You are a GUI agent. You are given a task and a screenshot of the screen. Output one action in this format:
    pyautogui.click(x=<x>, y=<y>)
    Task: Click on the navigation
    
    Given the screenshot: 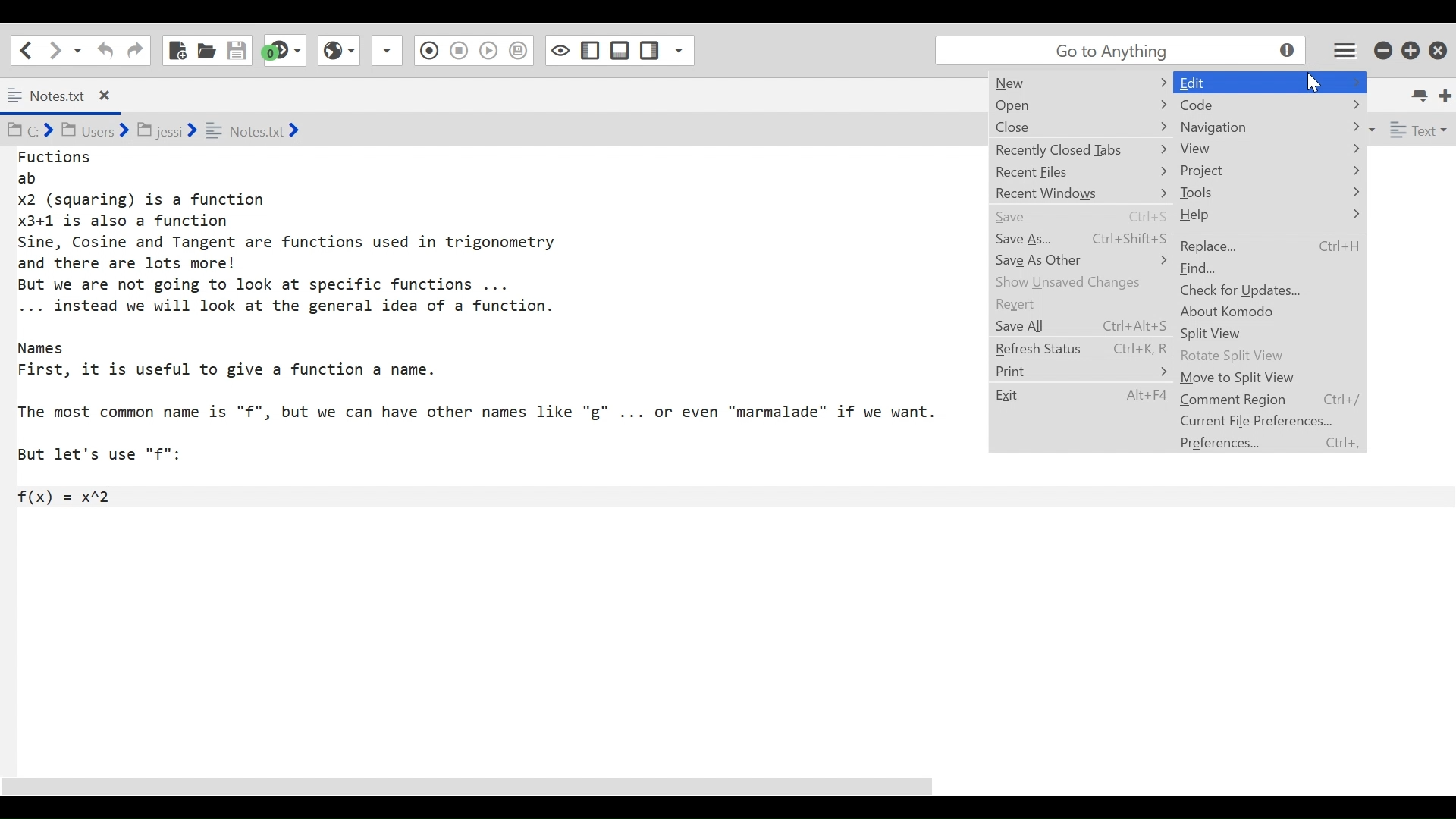 What is the action you would take?
    pyautogui.click(x=1273, y=128)
    